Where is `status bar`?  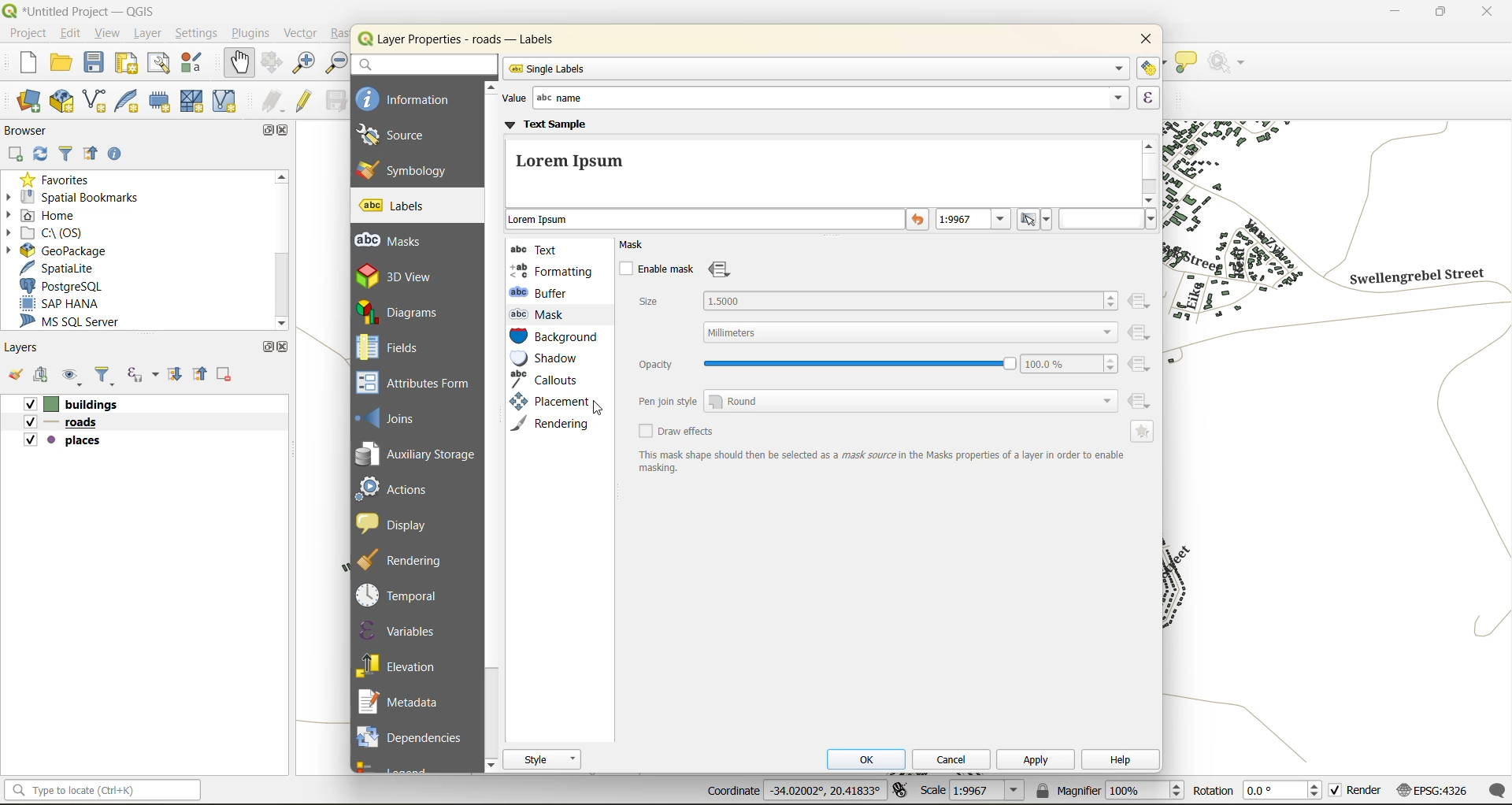 status bar is located at coordinates (105, 792).